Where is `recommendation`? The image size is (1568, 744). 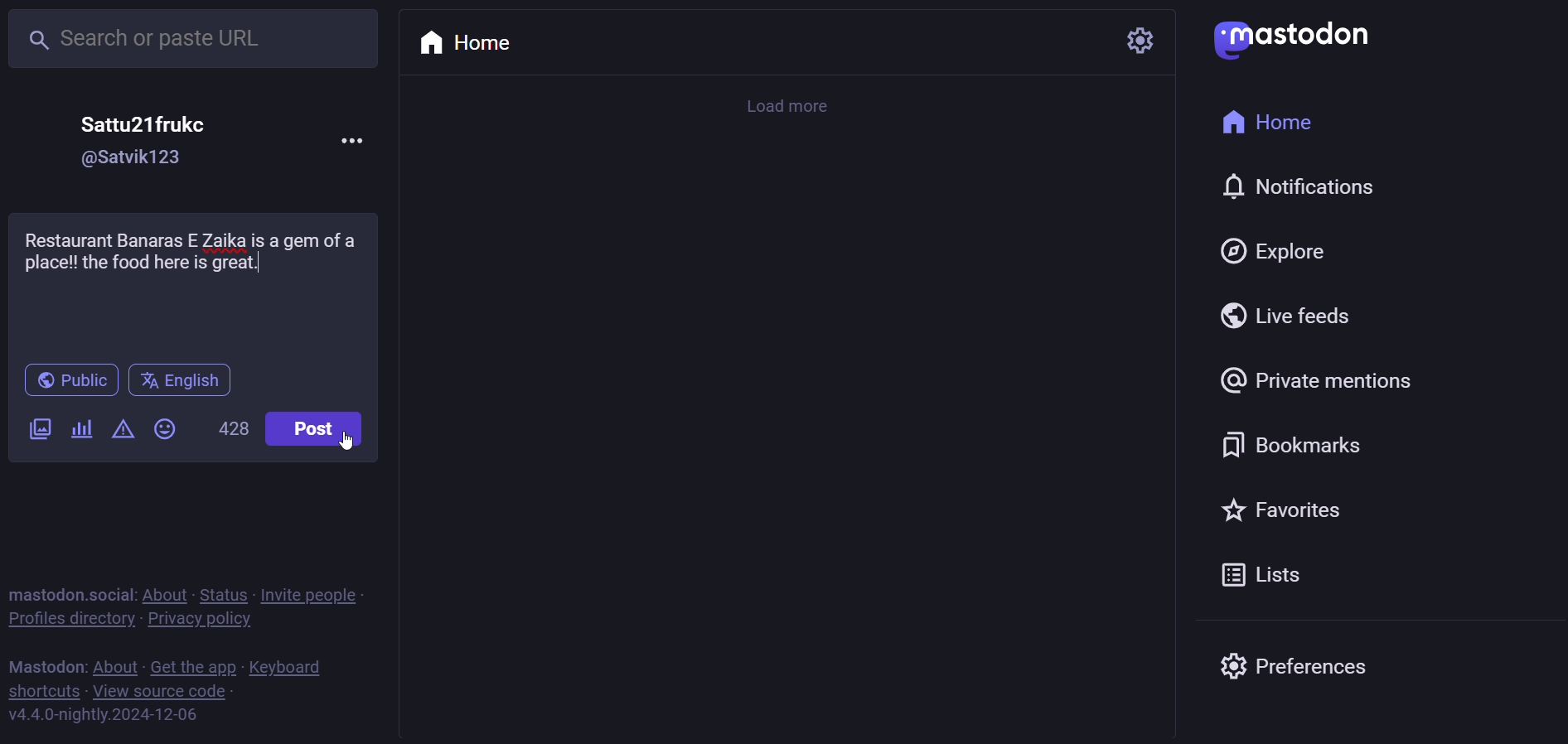
recommendation is located at coordinates (186, 250).